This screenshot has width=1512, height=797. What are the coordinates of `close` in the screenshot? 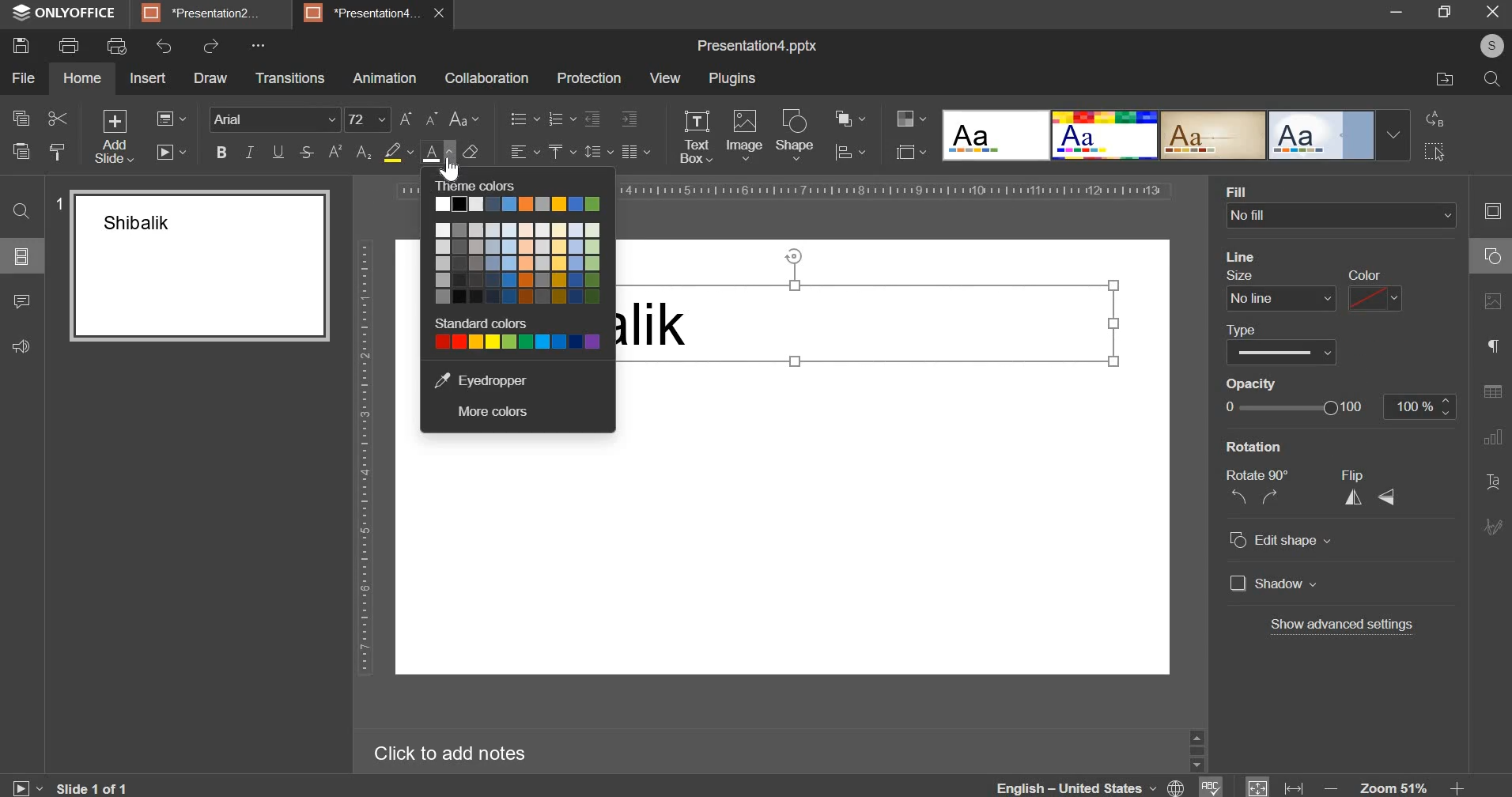 It's located at (444, 17).